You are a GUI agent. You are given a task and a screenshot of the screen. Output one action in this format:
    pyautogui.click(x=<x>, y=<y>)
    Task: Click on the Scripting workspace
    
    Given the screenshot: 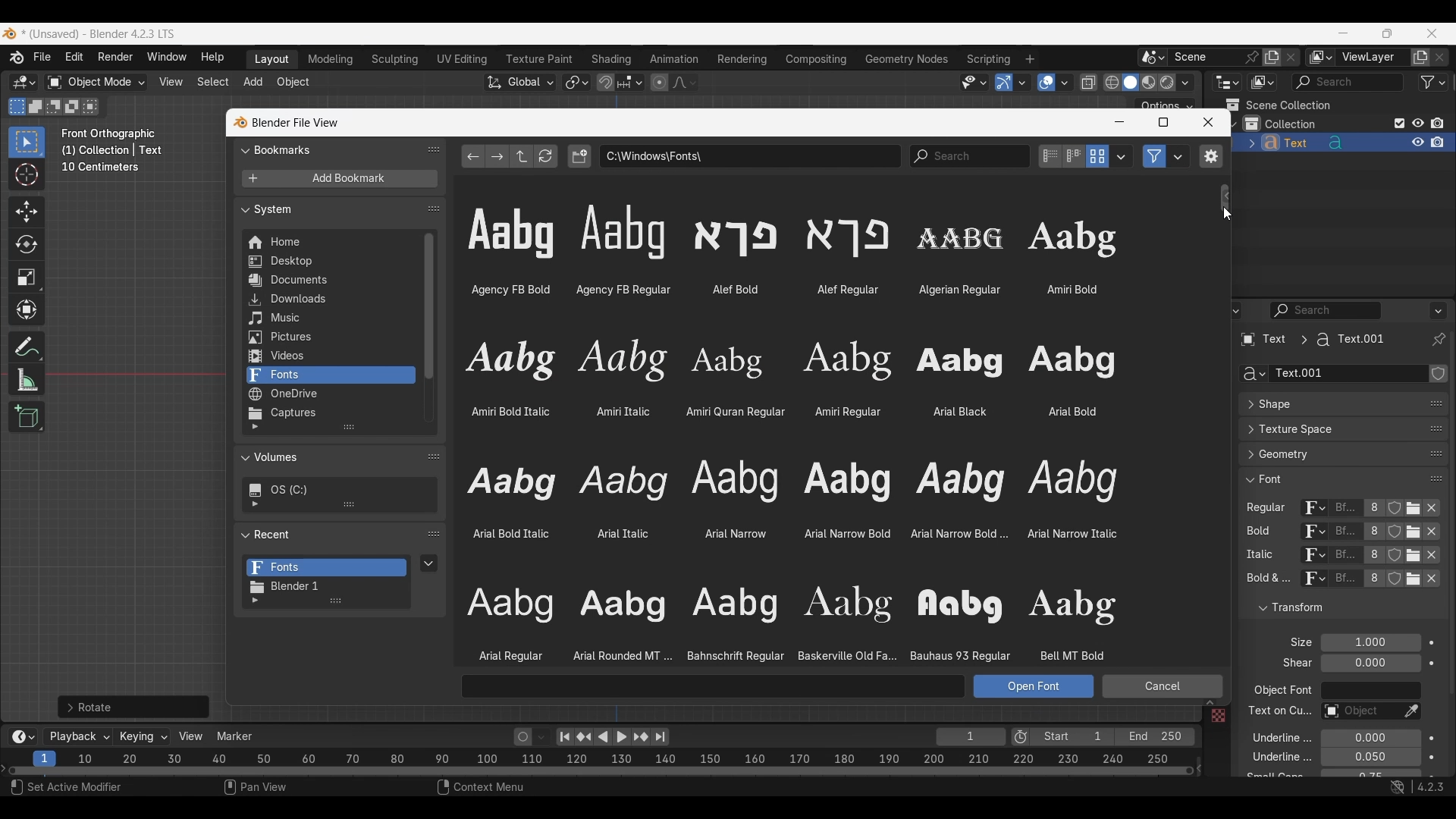 What is the action you would take?
    pyautogui.click(x=987, y=58)
    